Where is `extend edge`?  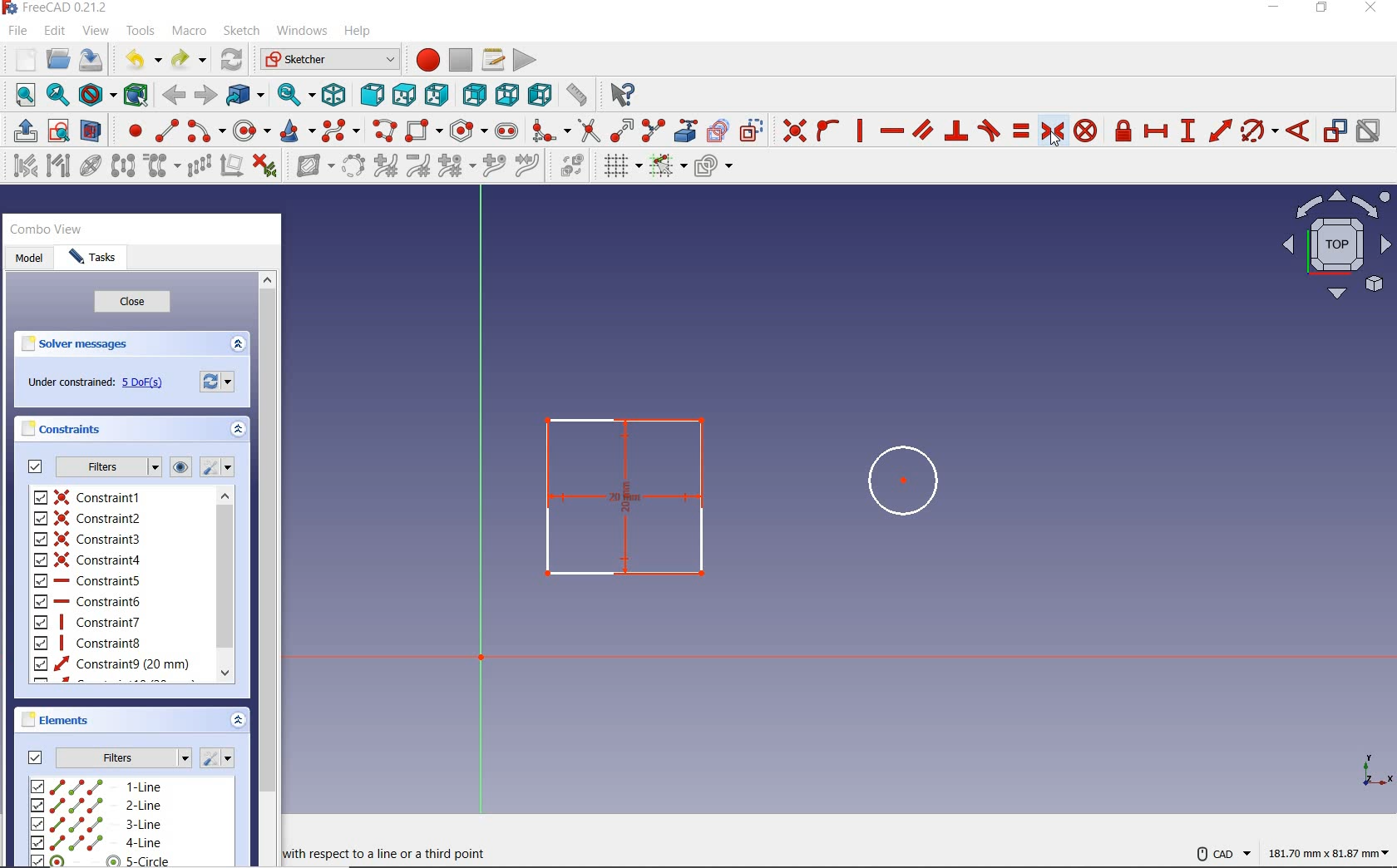 extend edge is located at coordinates (621, 129).